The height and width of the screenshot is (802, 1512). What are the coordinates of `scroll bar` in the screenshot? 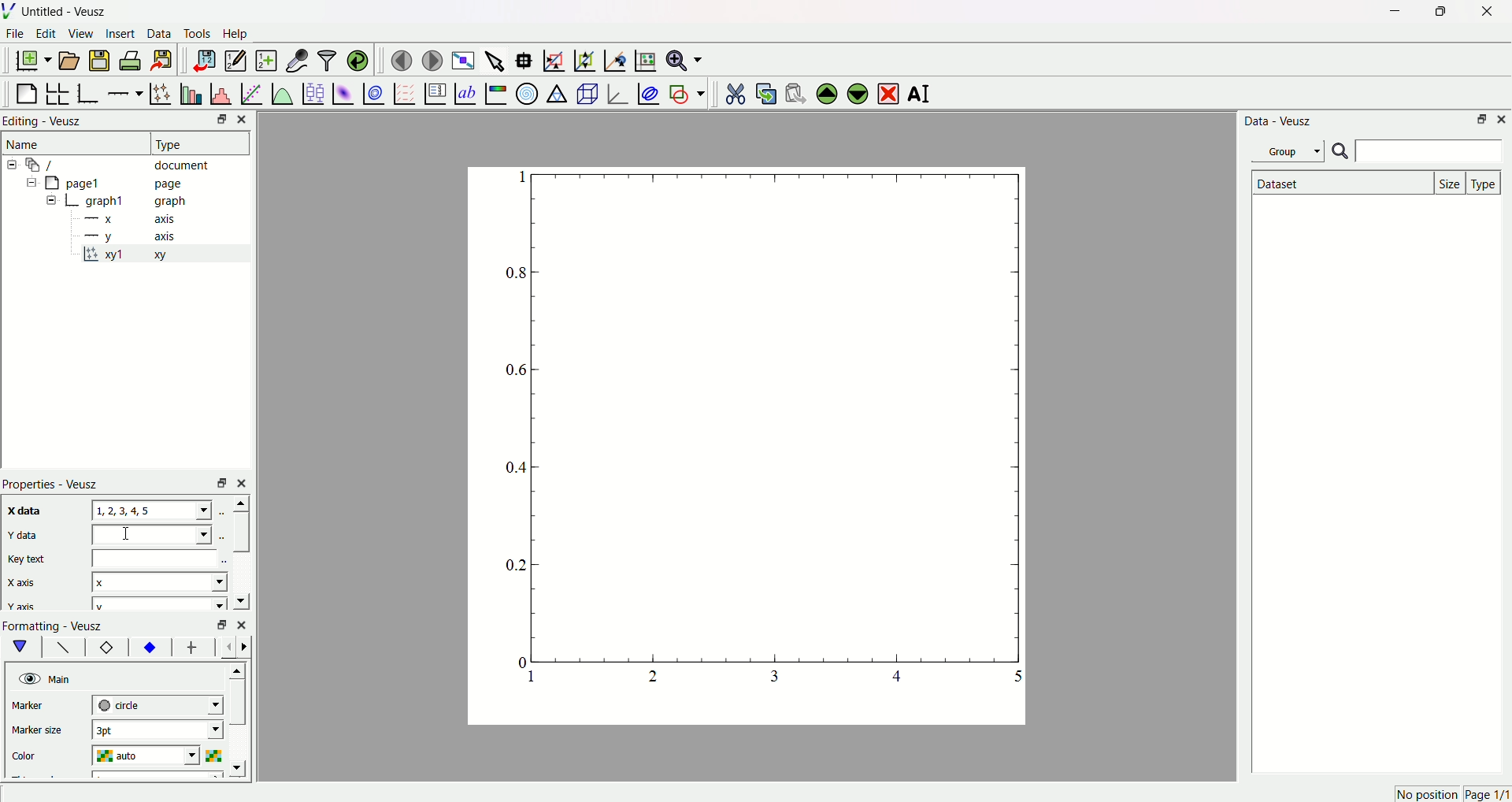 It's located at (239, 707).